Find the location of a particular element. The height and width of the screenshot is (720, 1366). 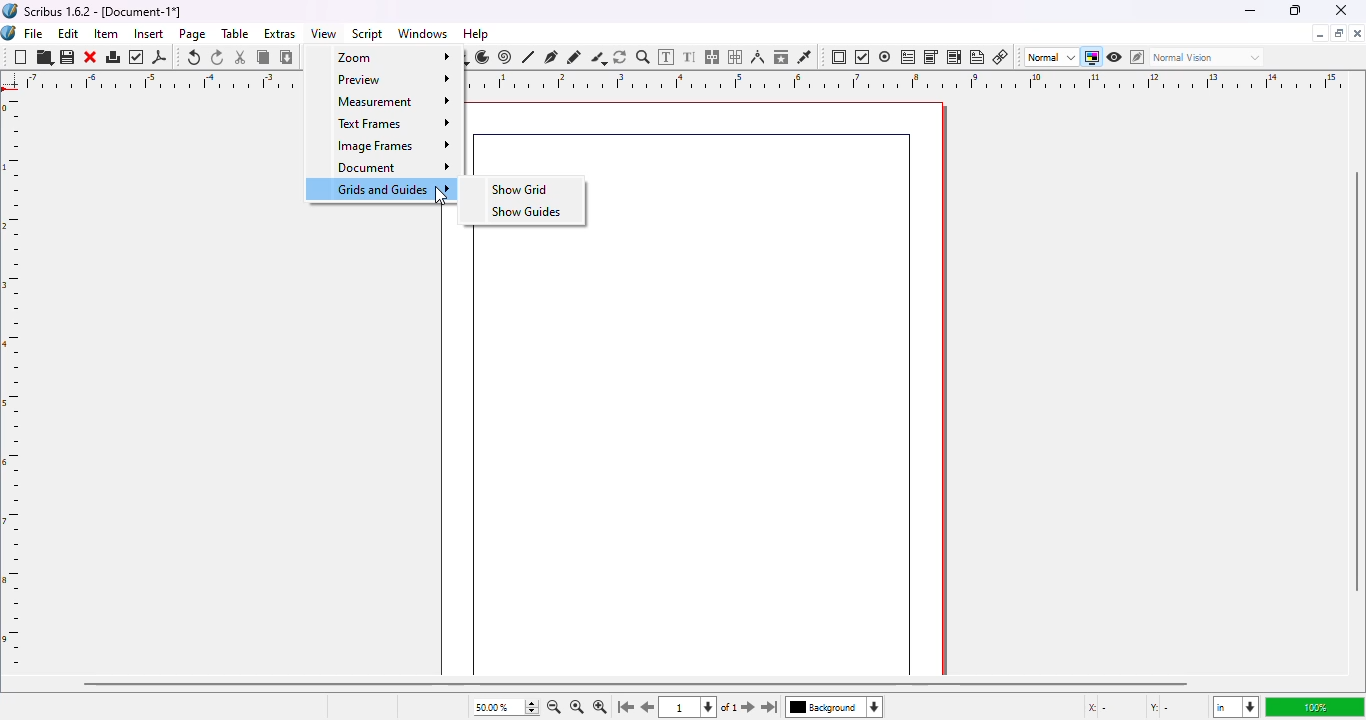

Scribus 1.6.2 - [Document-1*] is located at coordinates (104, 11).